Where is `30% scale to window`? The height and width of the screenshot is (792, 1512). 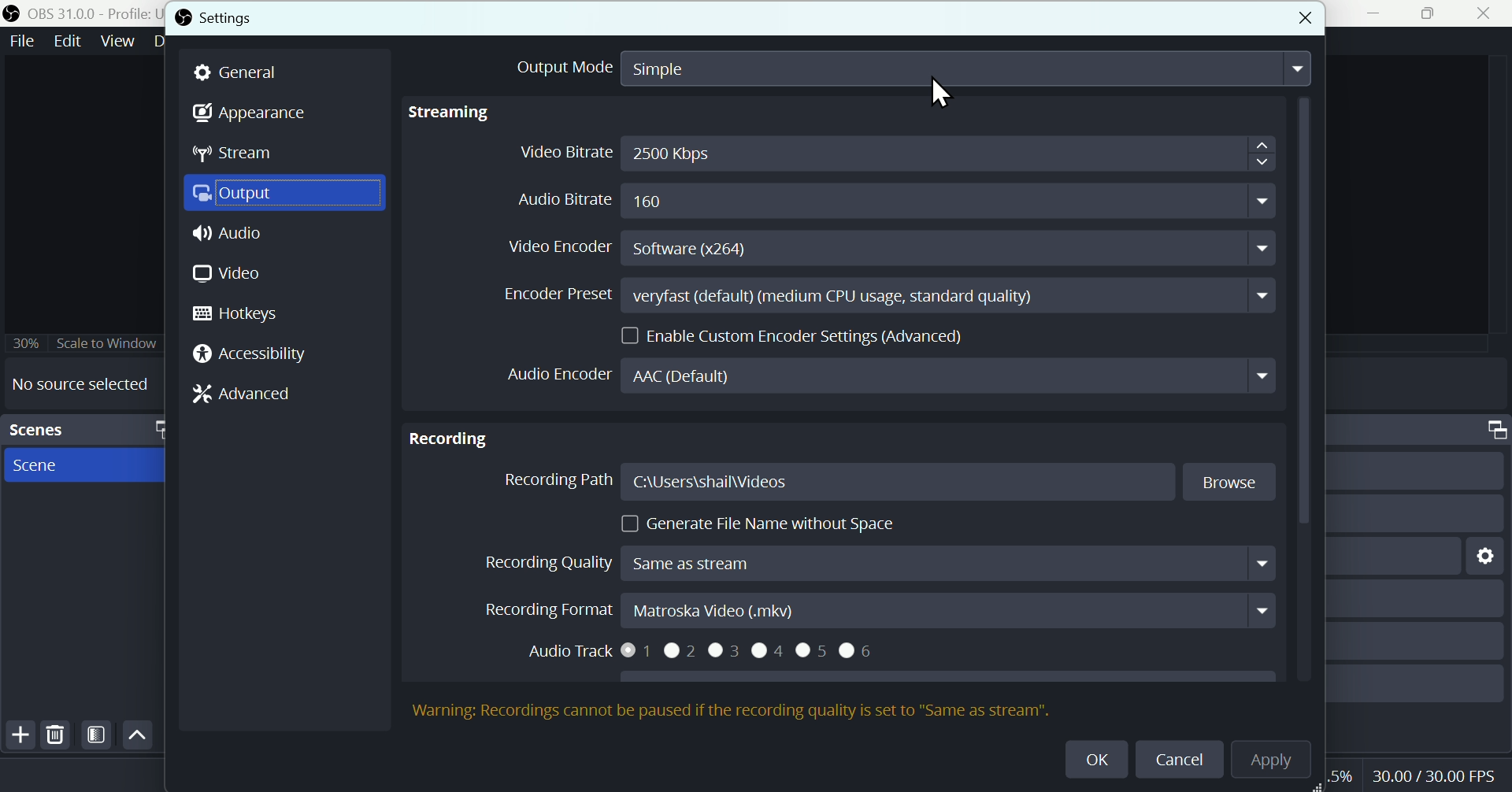
30% scale to window is located at coordinates (82, 344).